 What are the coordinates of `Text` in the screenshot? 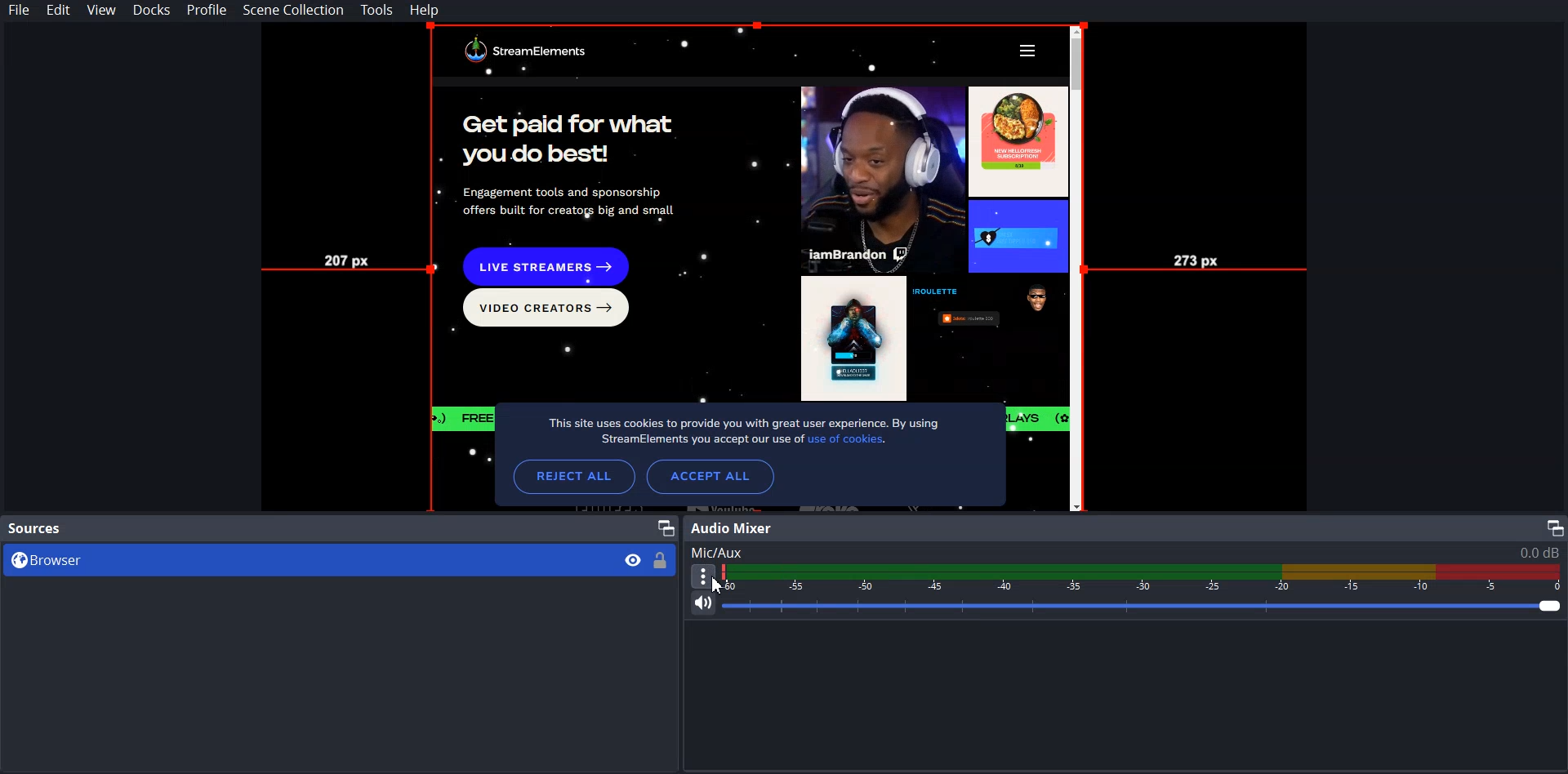 It's located at (1126, 551).